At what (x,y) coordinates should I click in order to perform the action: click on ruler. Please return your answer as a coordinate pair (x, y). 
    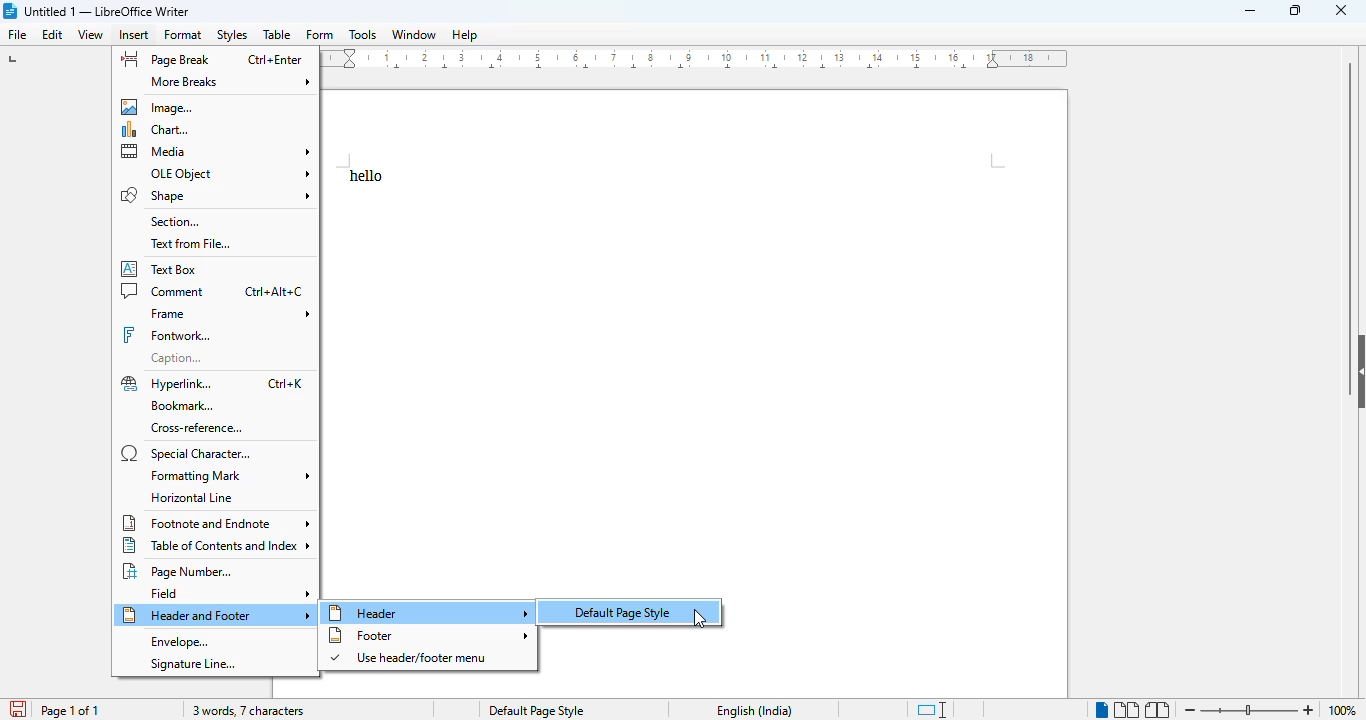
    Looking at the image, I should click on (696, 58).